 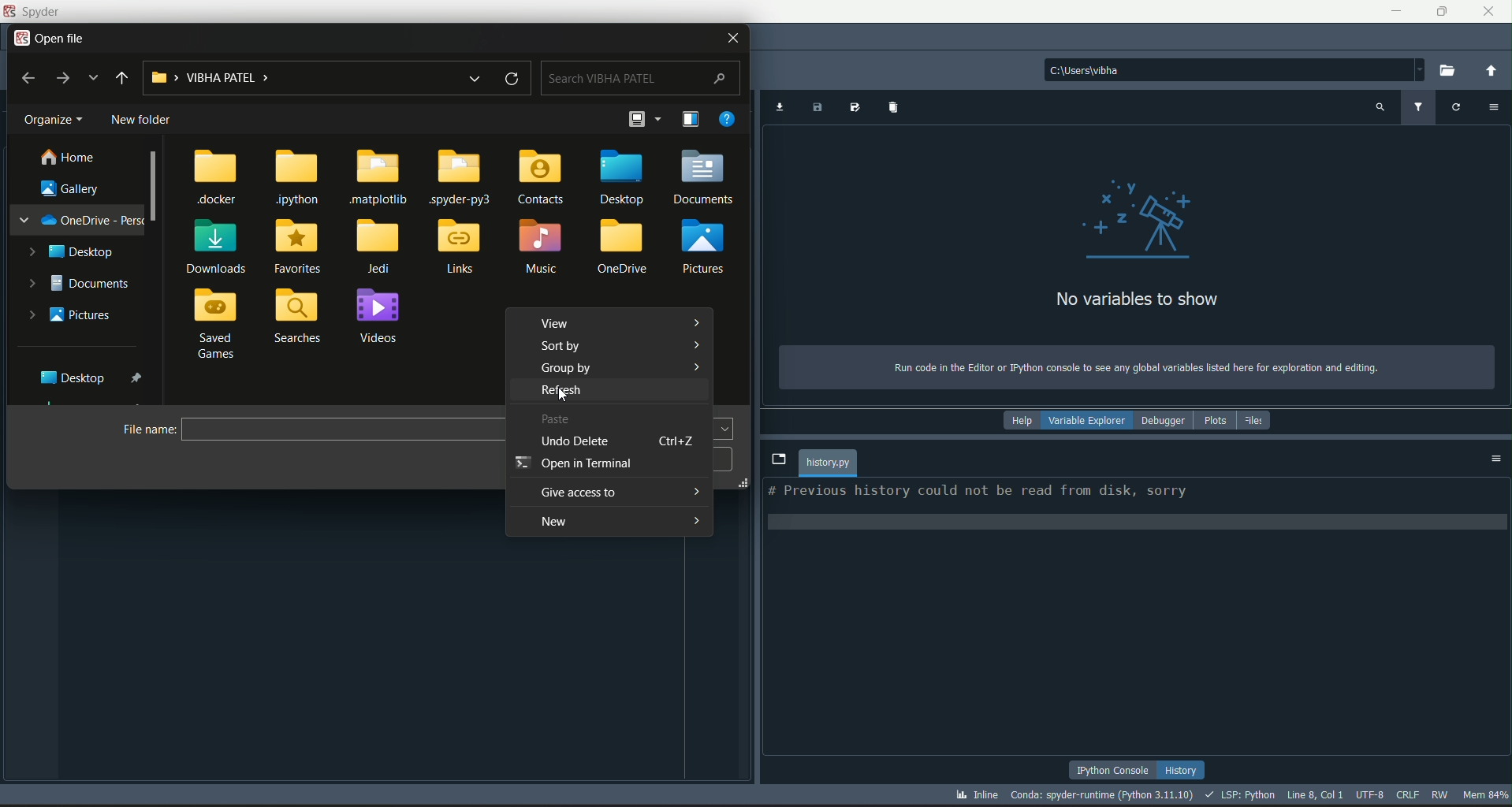 I want to click on filter variable, so click(x=1419, y=107).